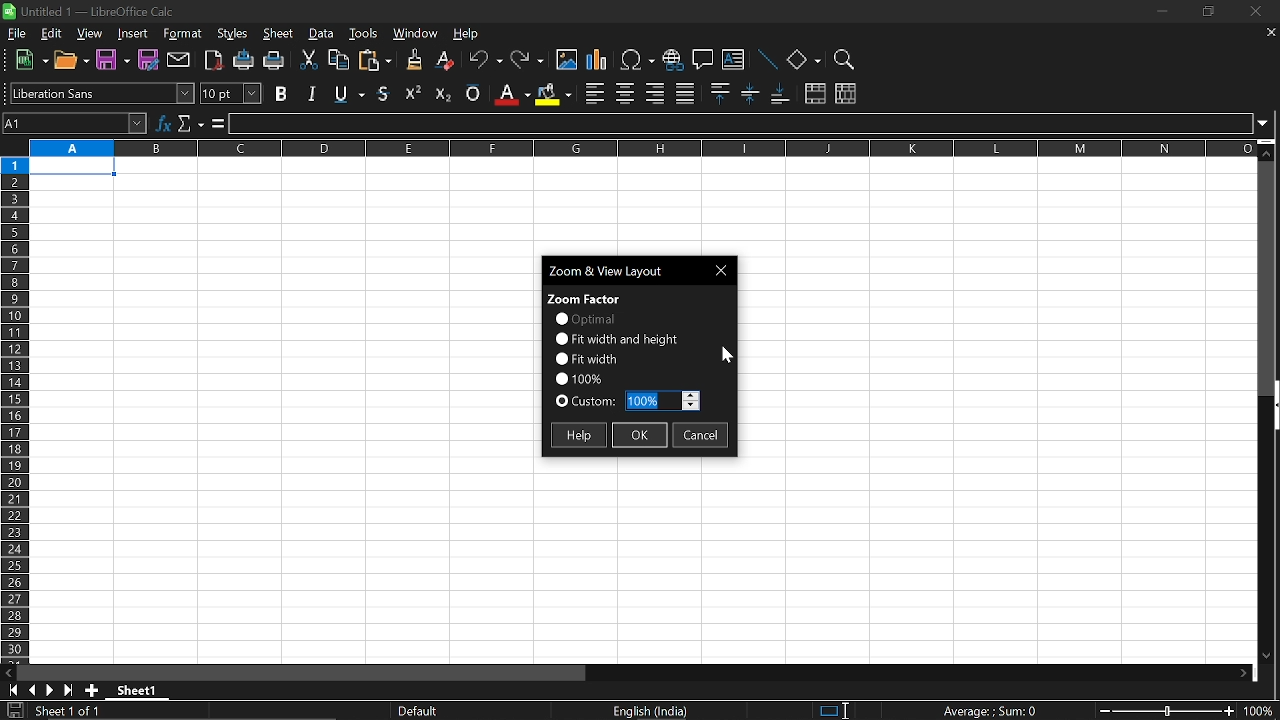 The height and width of the screenshot is (720, 1280). Describe the element at coordinates (552, 93) in the screenshot. I see `background color` at that location.